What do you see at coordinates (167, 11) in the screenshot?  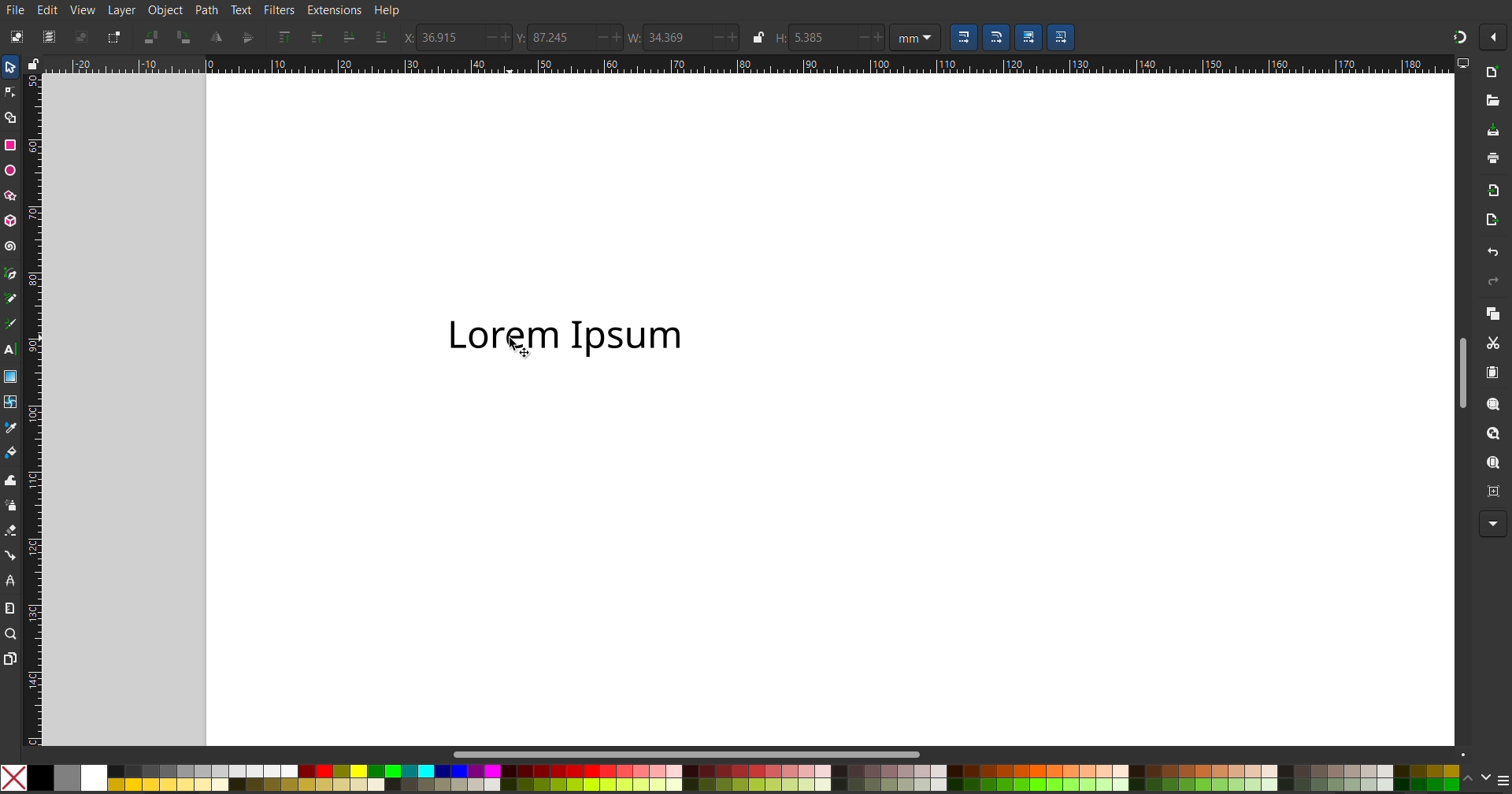 I see `Object` at bounding box center [167, 11].